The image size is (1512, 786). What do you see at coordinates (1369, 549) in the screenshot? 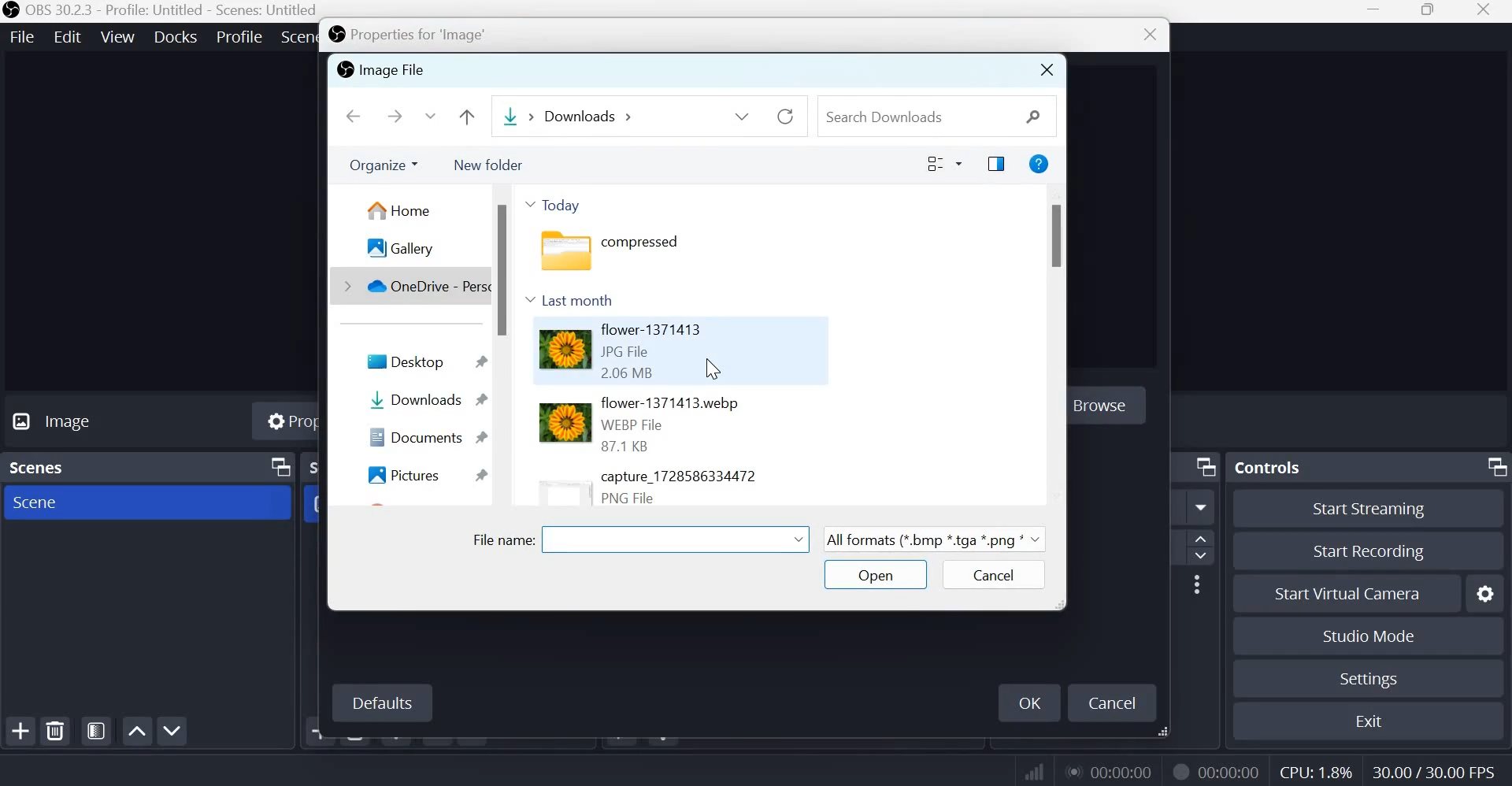
I see `Start recording` at bounding box center [1369, 549].